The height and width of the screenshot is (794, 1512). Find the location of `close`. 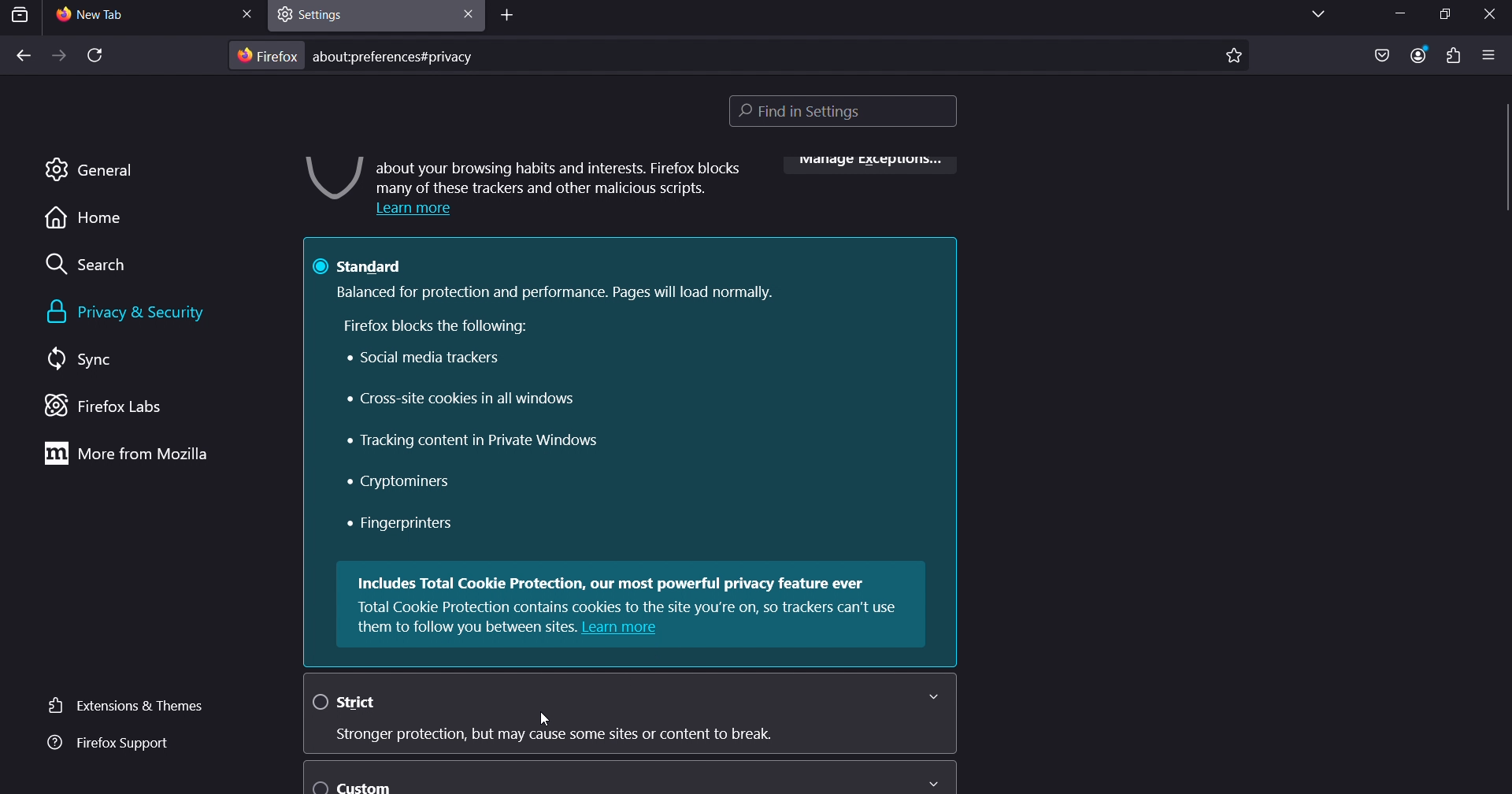

close is located at coordinates (1492, 13).